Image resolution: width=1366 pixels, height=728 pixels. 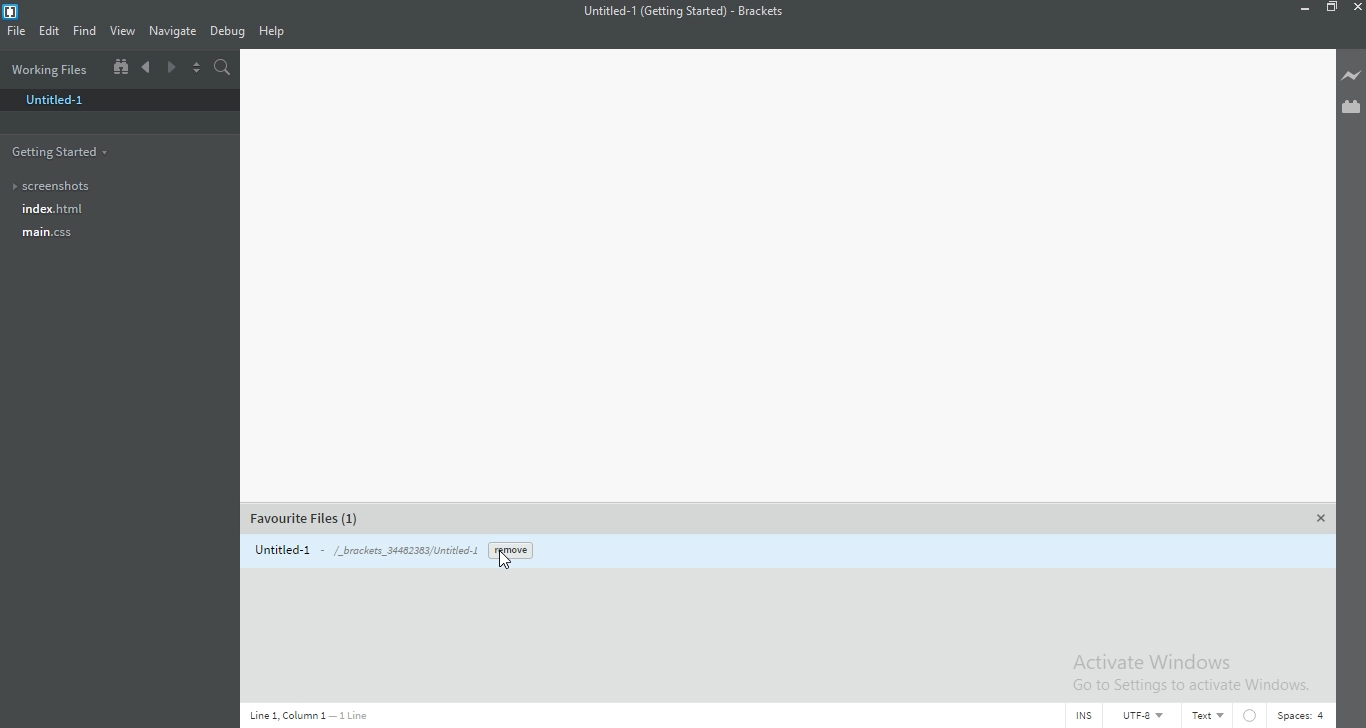 I want to click on Spaces:4, so click(x=1307, y=712).